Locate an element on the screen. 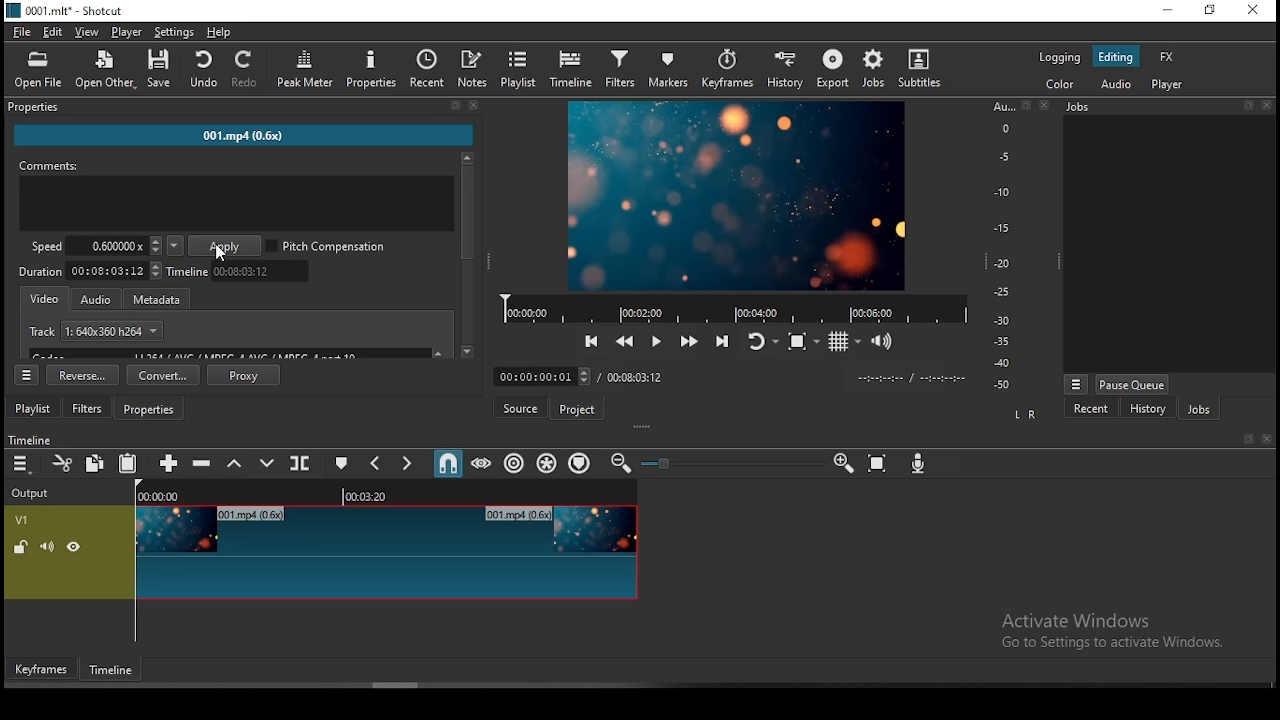 This screenshot has width=1280, height=720. open other is located at coordinates (106, 72).